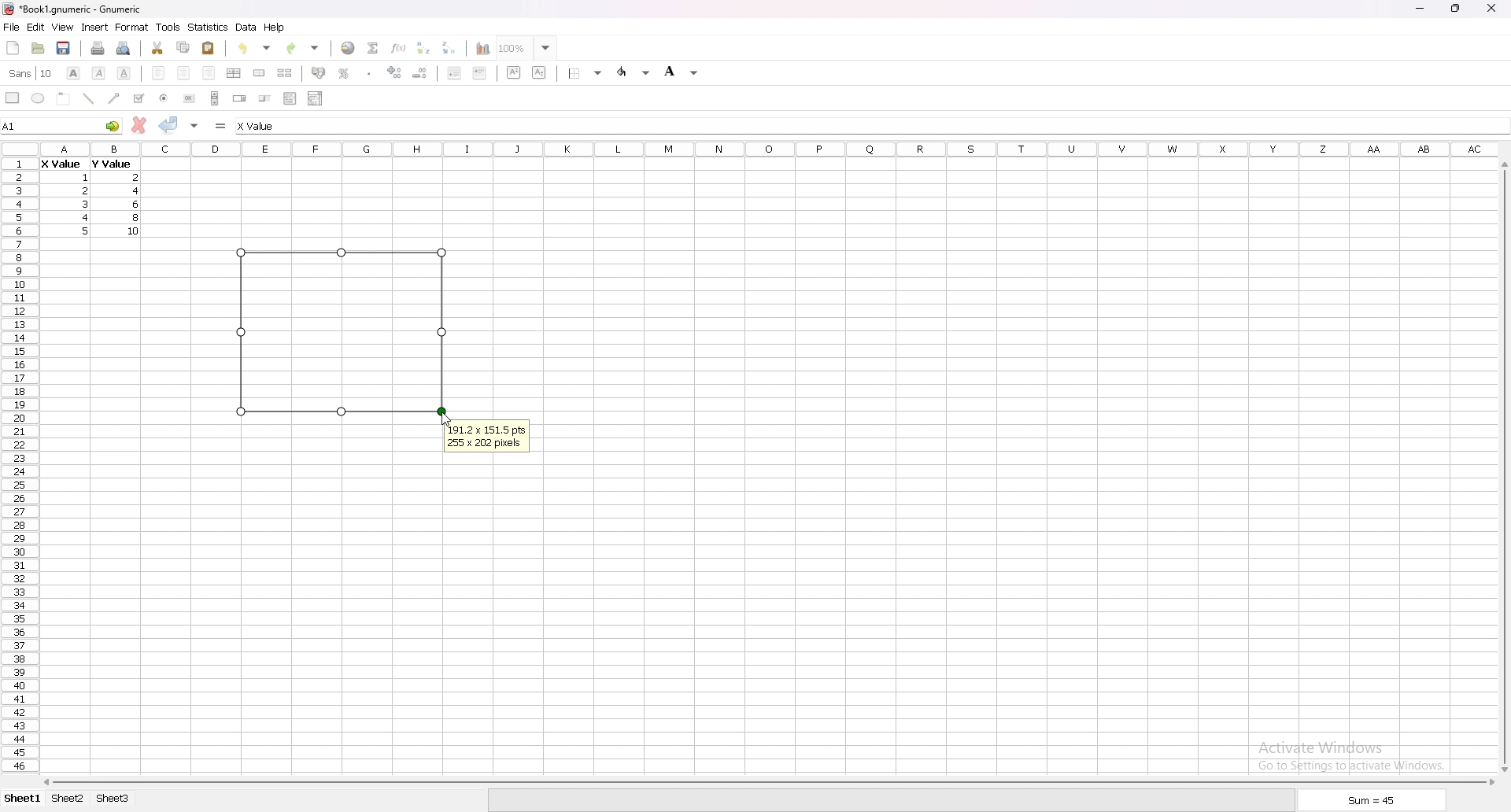 This screenshot has height=812, width=1511. I want to click on frame, so click(64, 98).